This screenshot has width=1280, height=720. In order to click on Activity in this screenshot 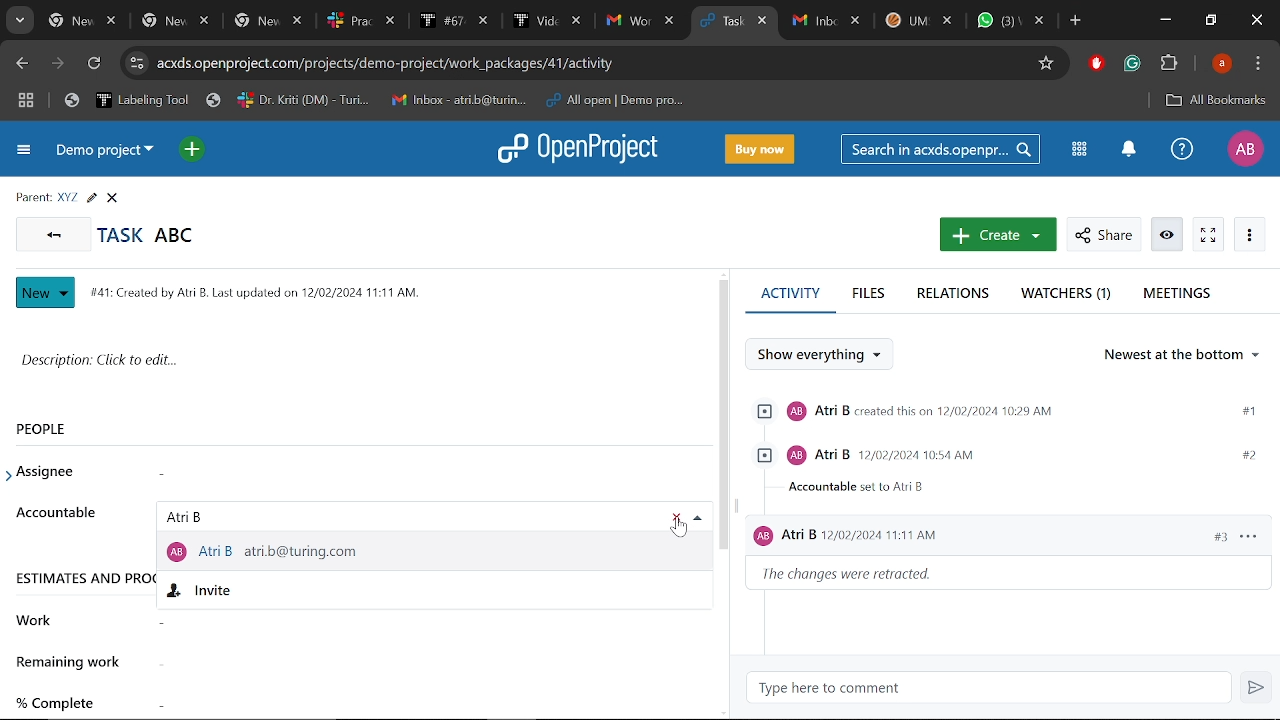, I will do `click(790, 301)`.